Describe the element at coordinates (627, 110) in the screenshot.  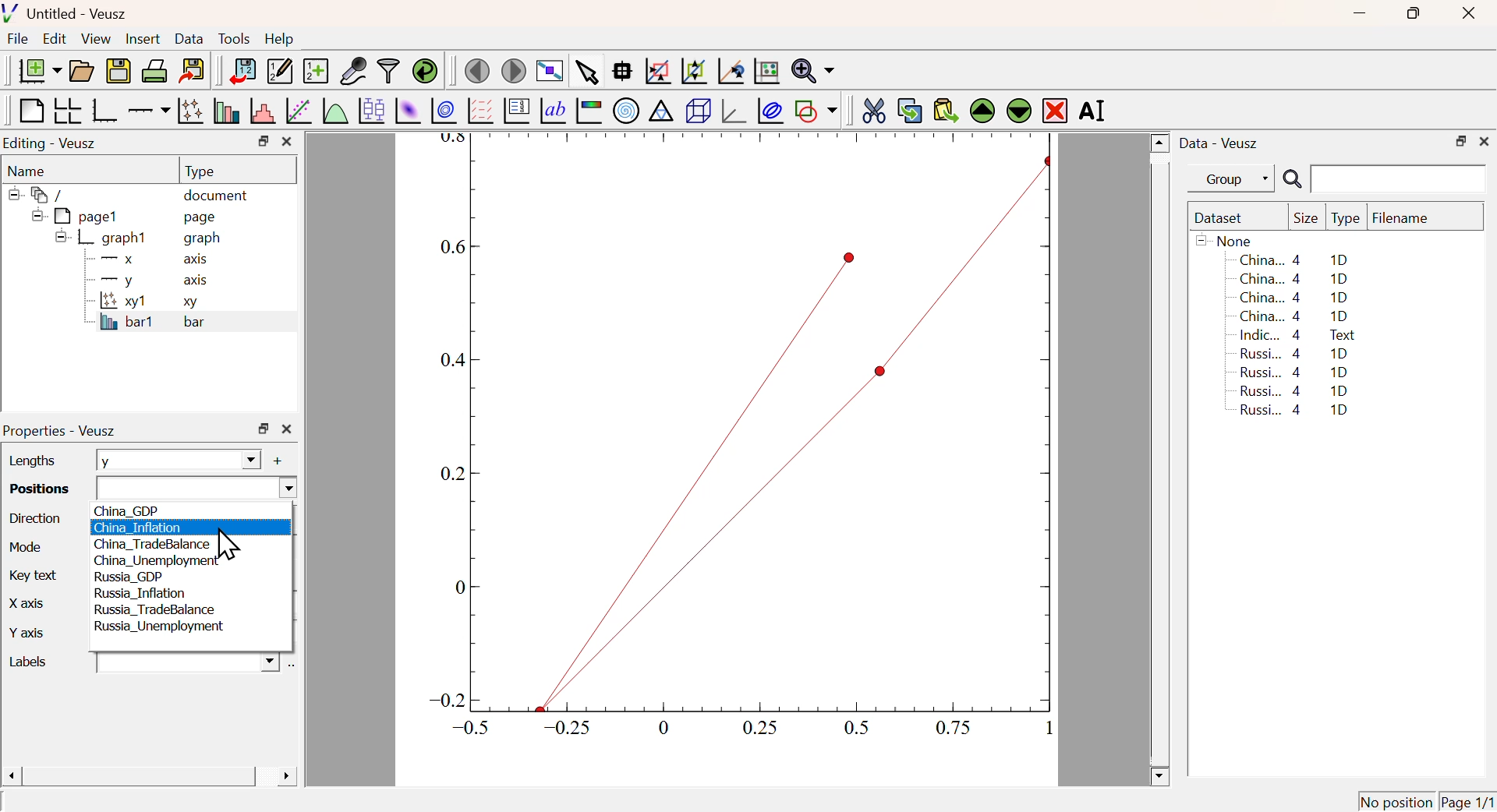
I see `Polar Graph` at that location.